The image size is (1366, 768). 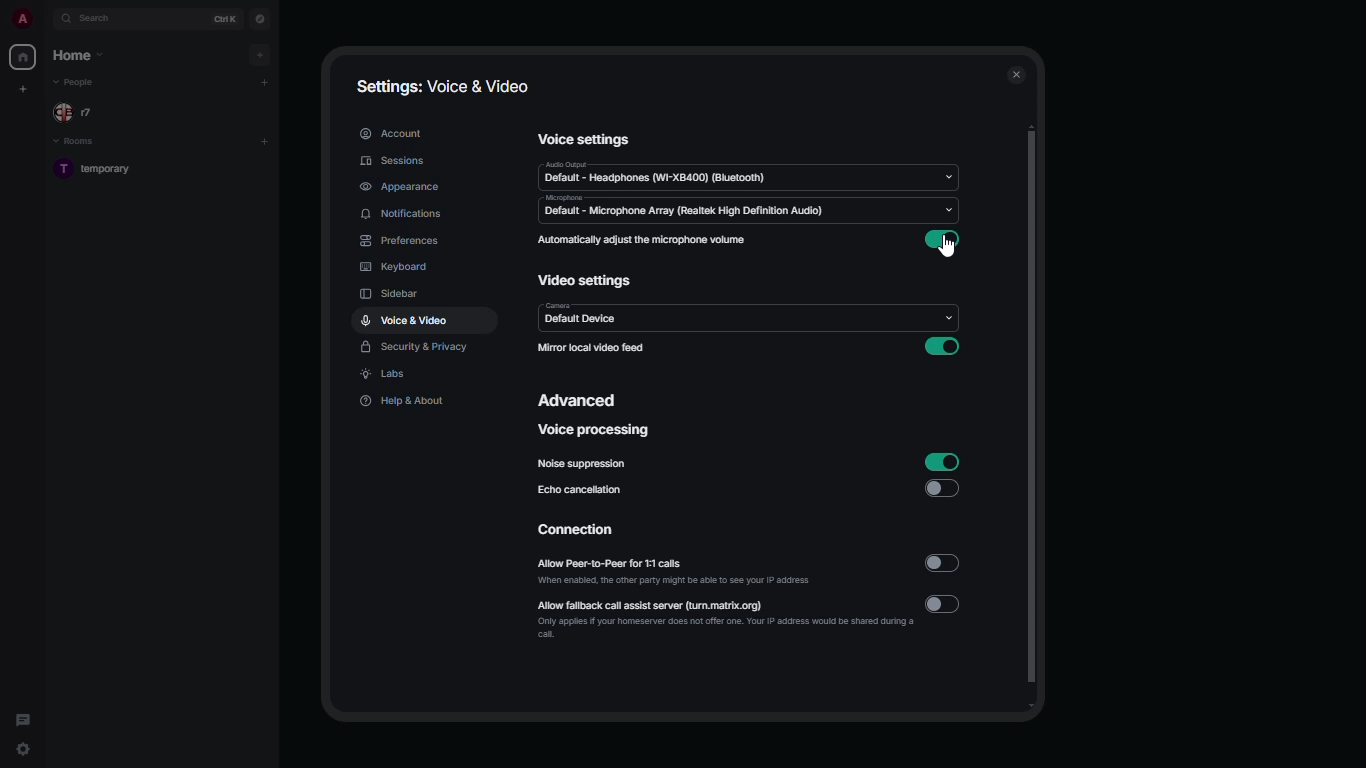 I want to click on add, so click(x=267, y=141).